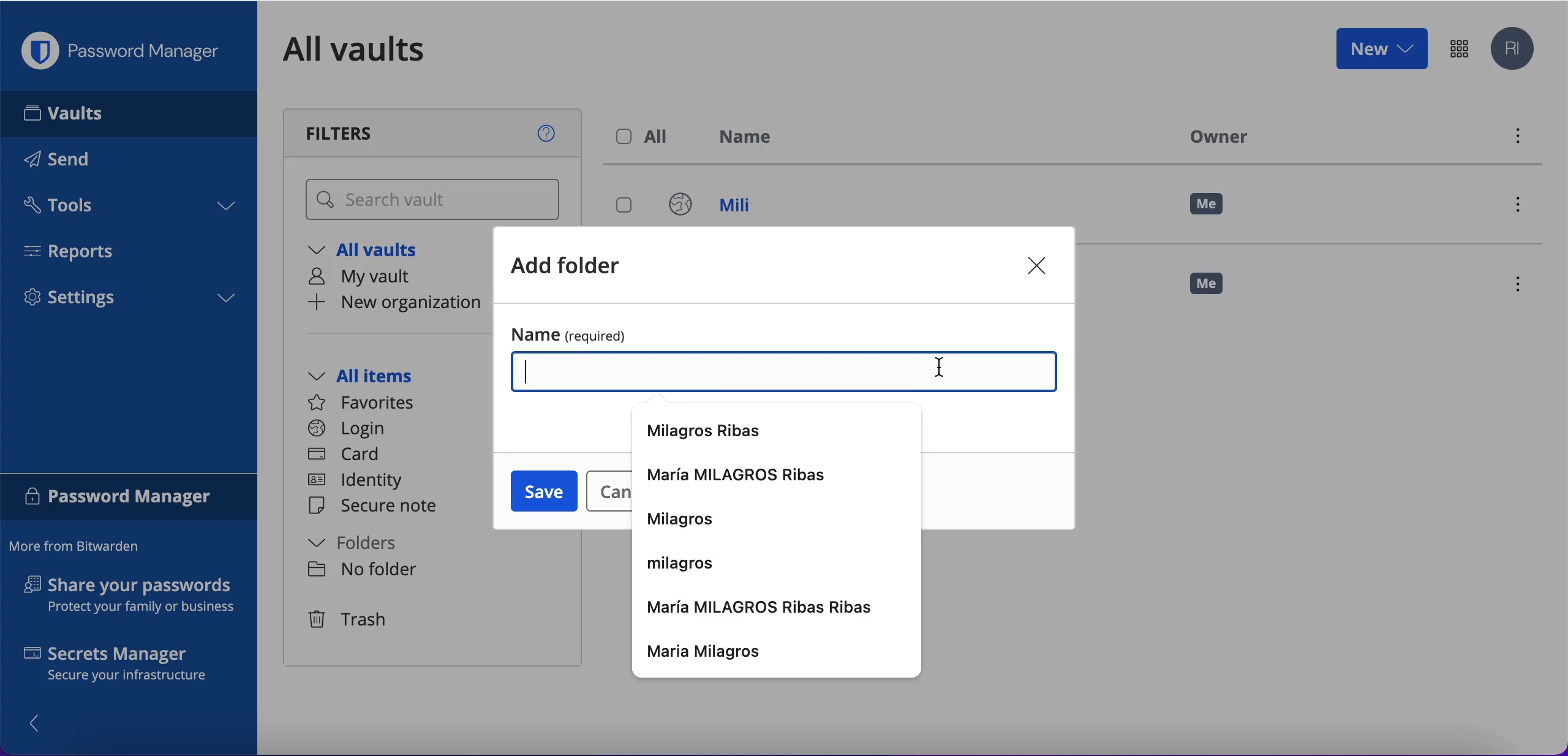 The image size is (1568, 756). What do you see at coordinates (1208, 205) in the screenshot?
I see `me` at bounding box center [1208, 205].